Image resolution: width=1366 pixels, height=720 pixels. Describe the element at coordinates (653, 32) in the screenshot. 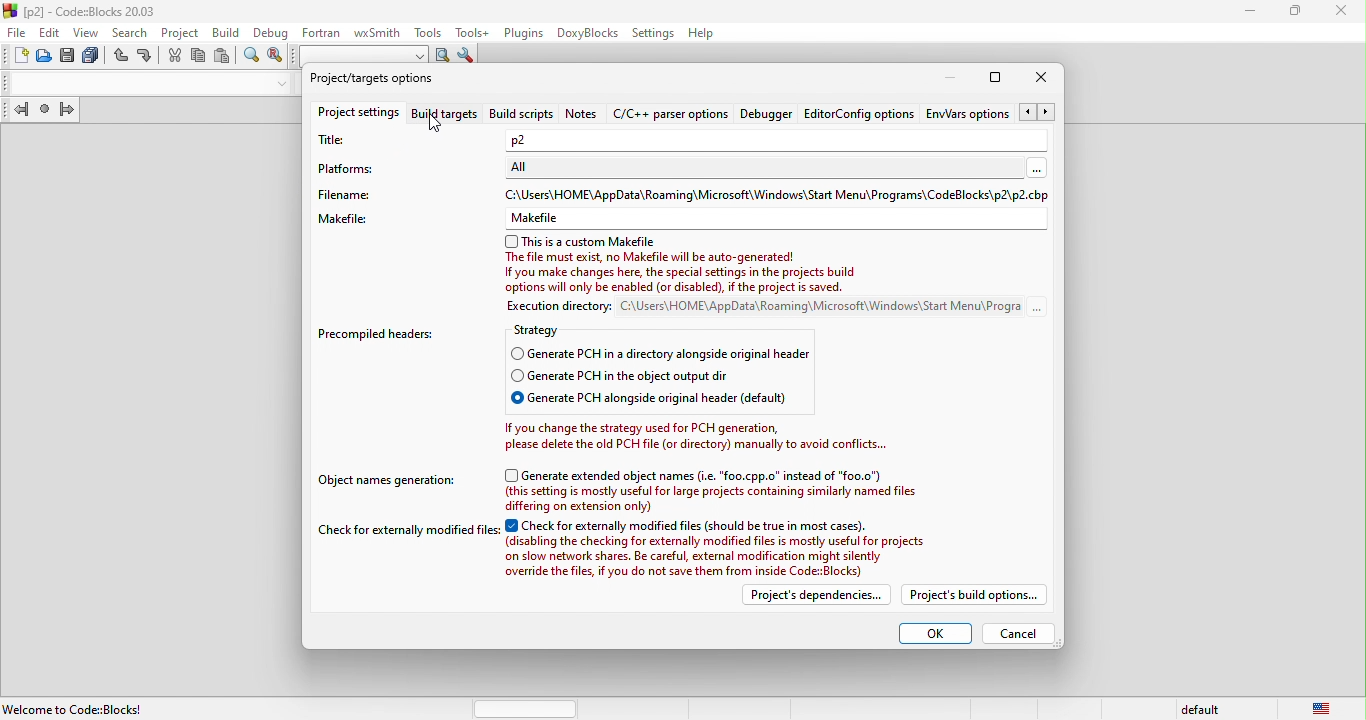

I see `settings` at that location.